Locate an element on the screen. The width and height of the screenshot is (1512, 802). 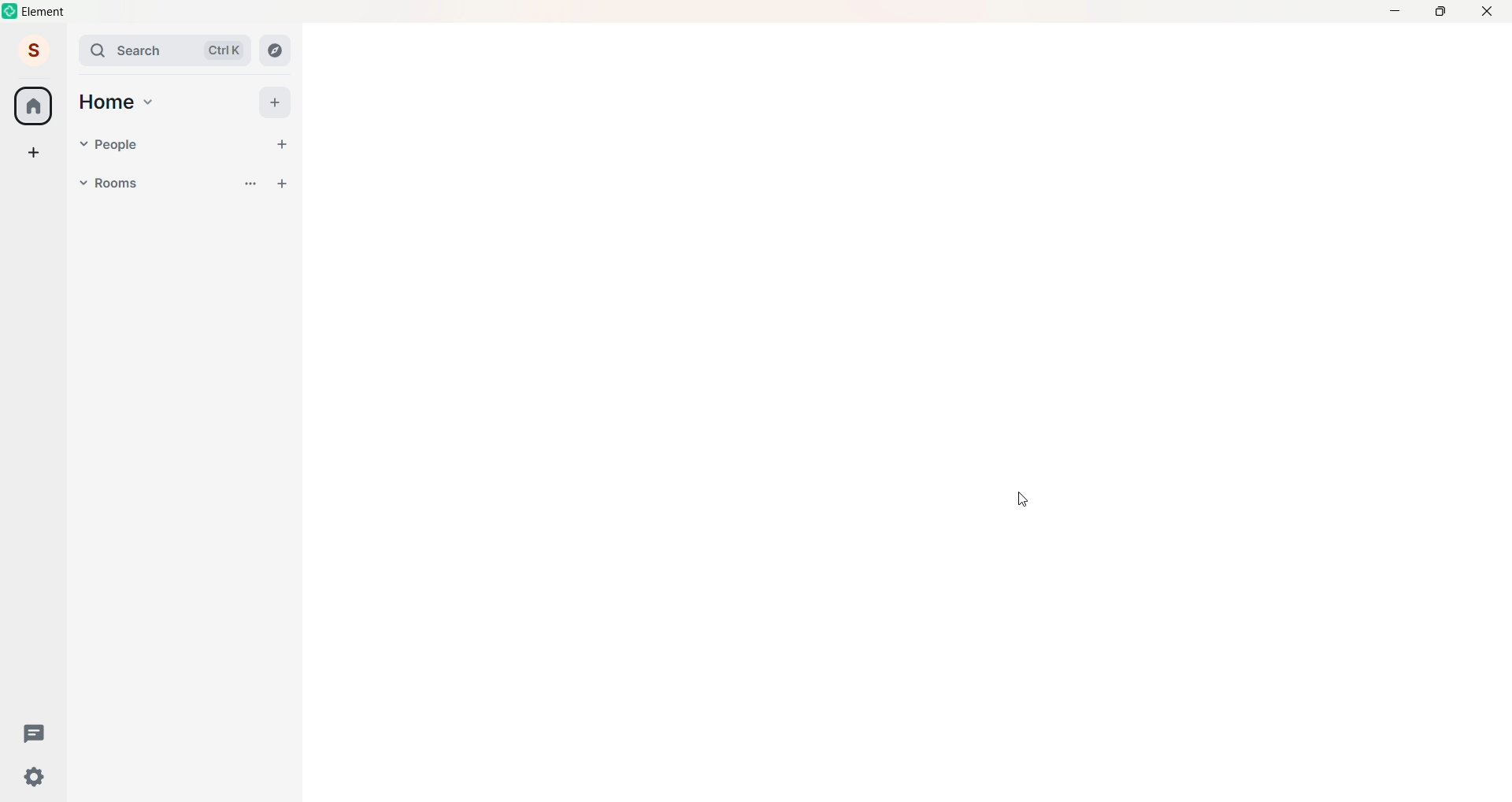
People is located at coordinates (118, 145).